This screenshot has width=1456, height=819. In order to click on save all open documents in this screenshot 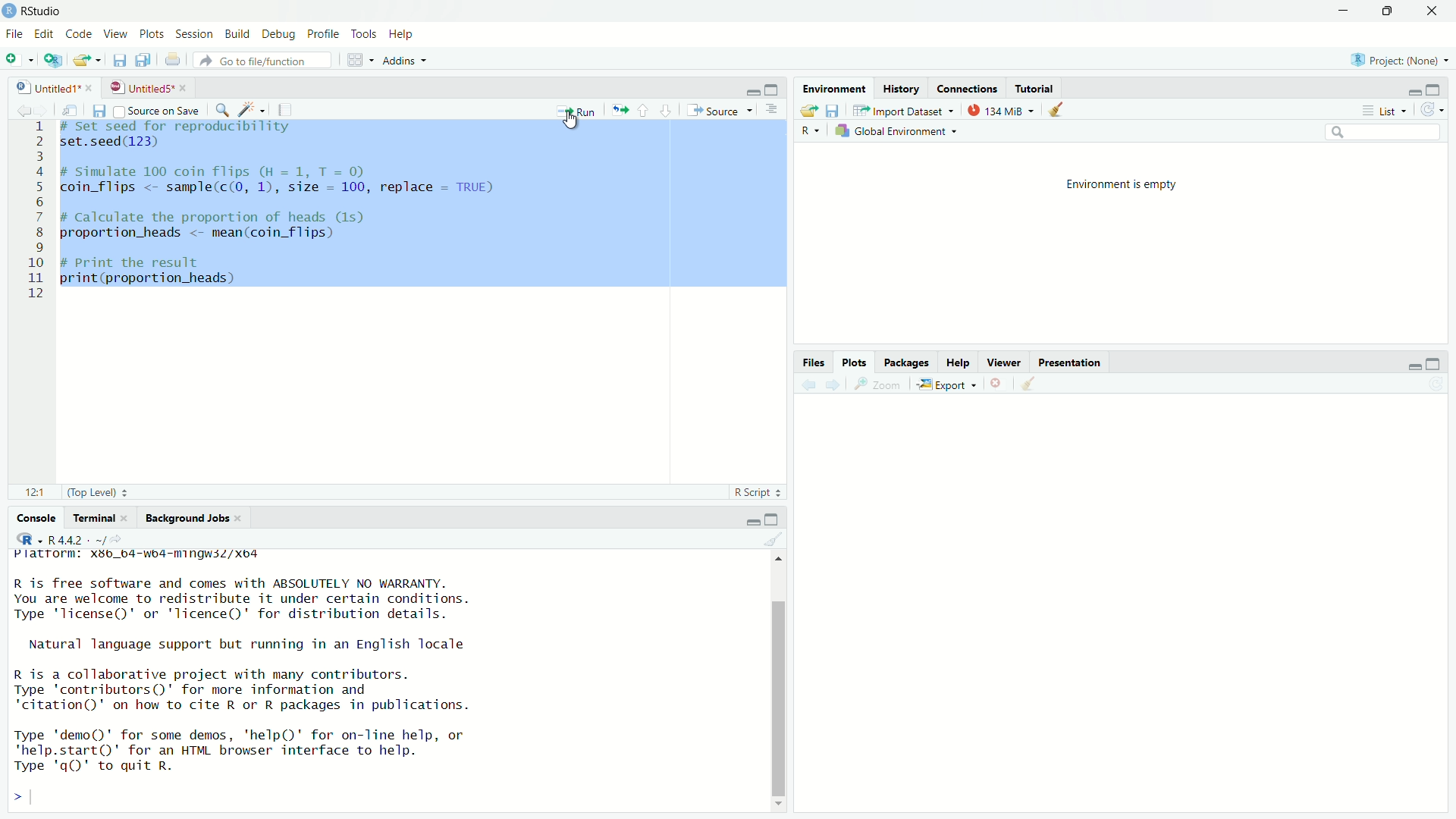, I will do `click(146, 61)`.